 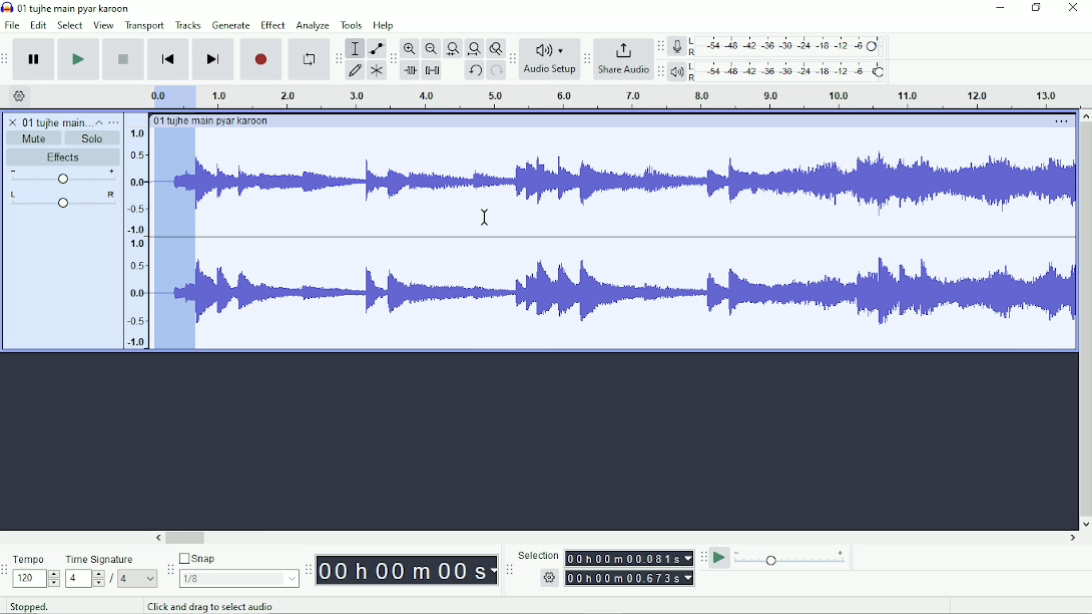 What do you see at coordinates (352, 25) in the screenshot?
I see `Tools` at bounding box center [352, 25].